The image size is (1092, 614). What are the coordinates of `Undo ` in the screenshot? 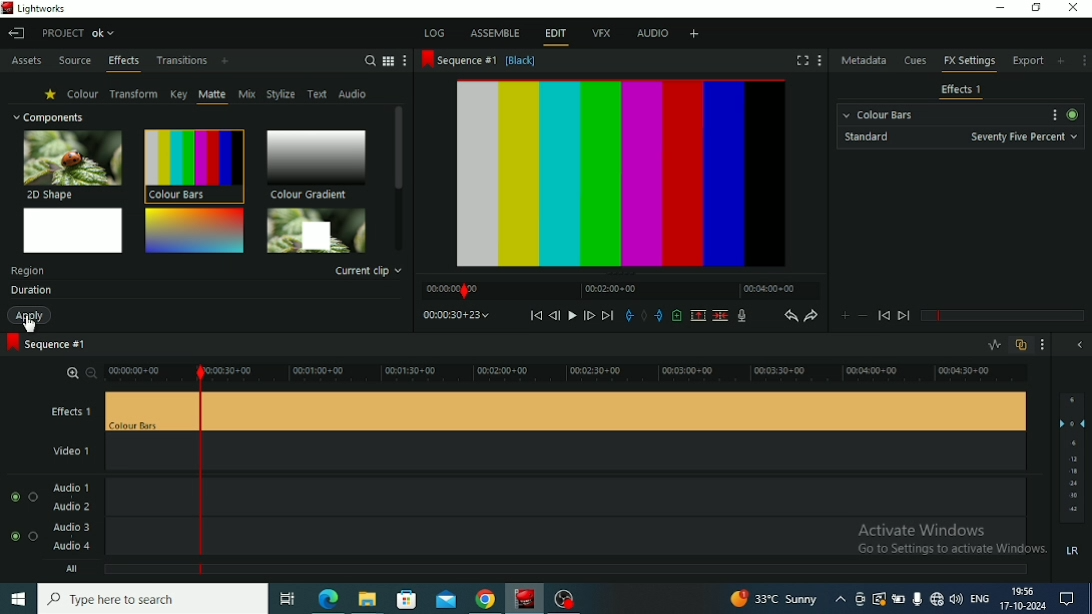 It's located at (790, 315).